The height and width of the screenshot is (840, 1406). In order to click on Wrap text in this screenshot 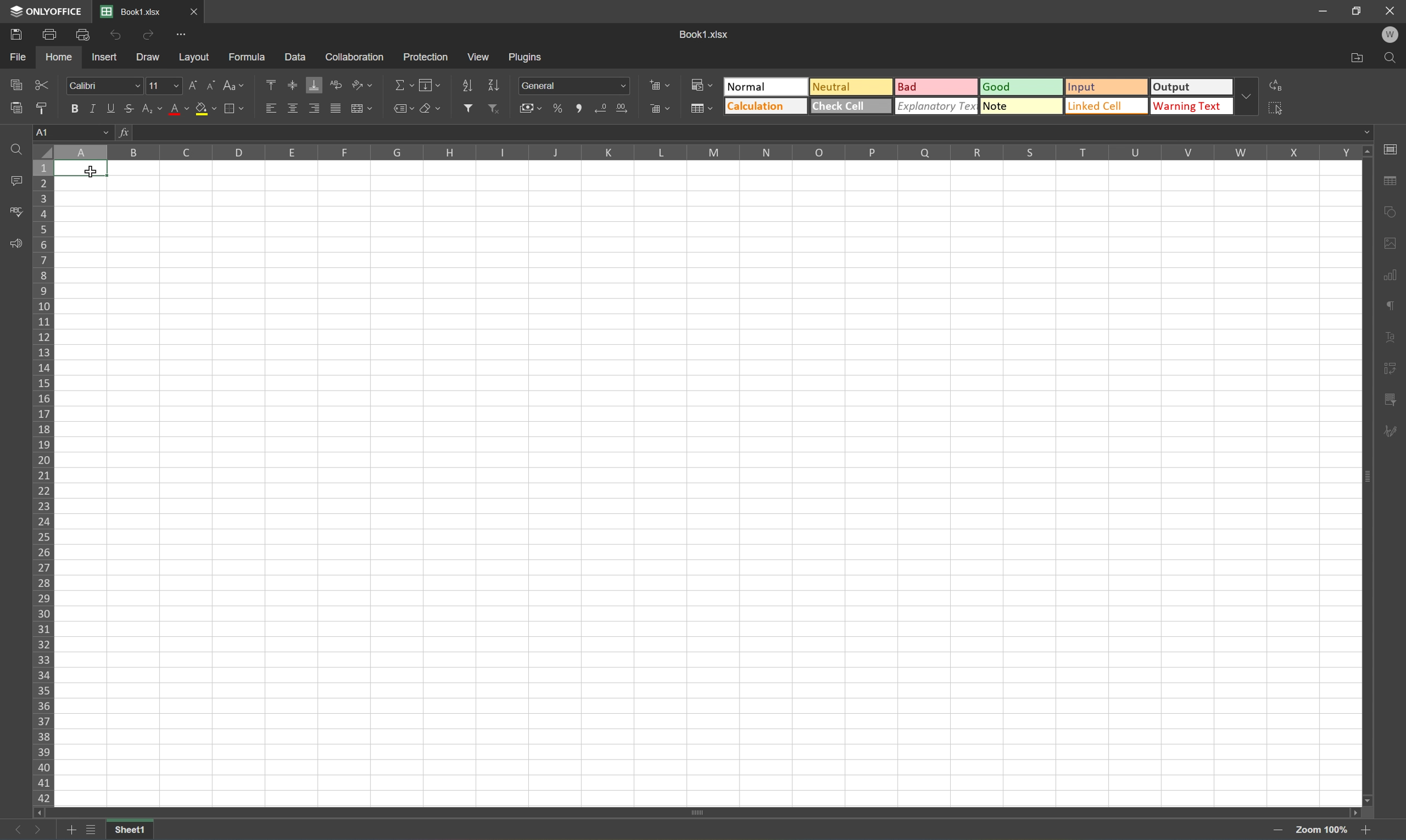, I will do `click(335, 85)`.